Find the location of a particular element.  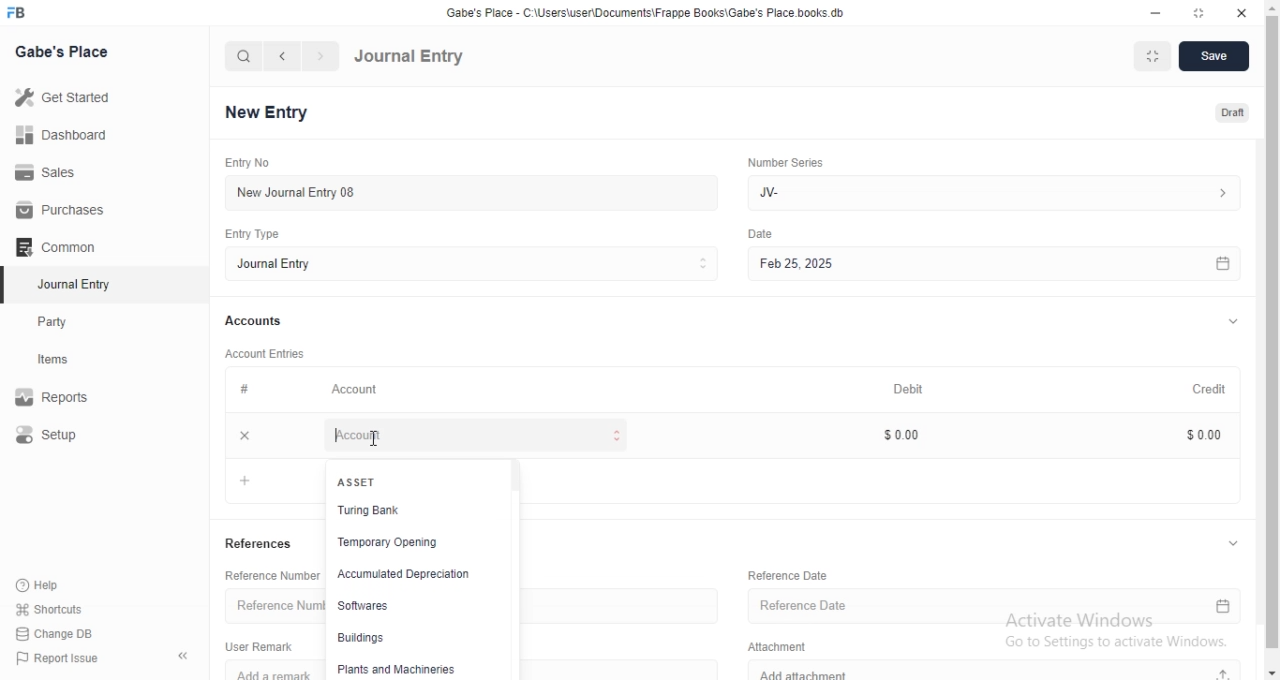

Turing Bank is located at coordinates (409, 514).